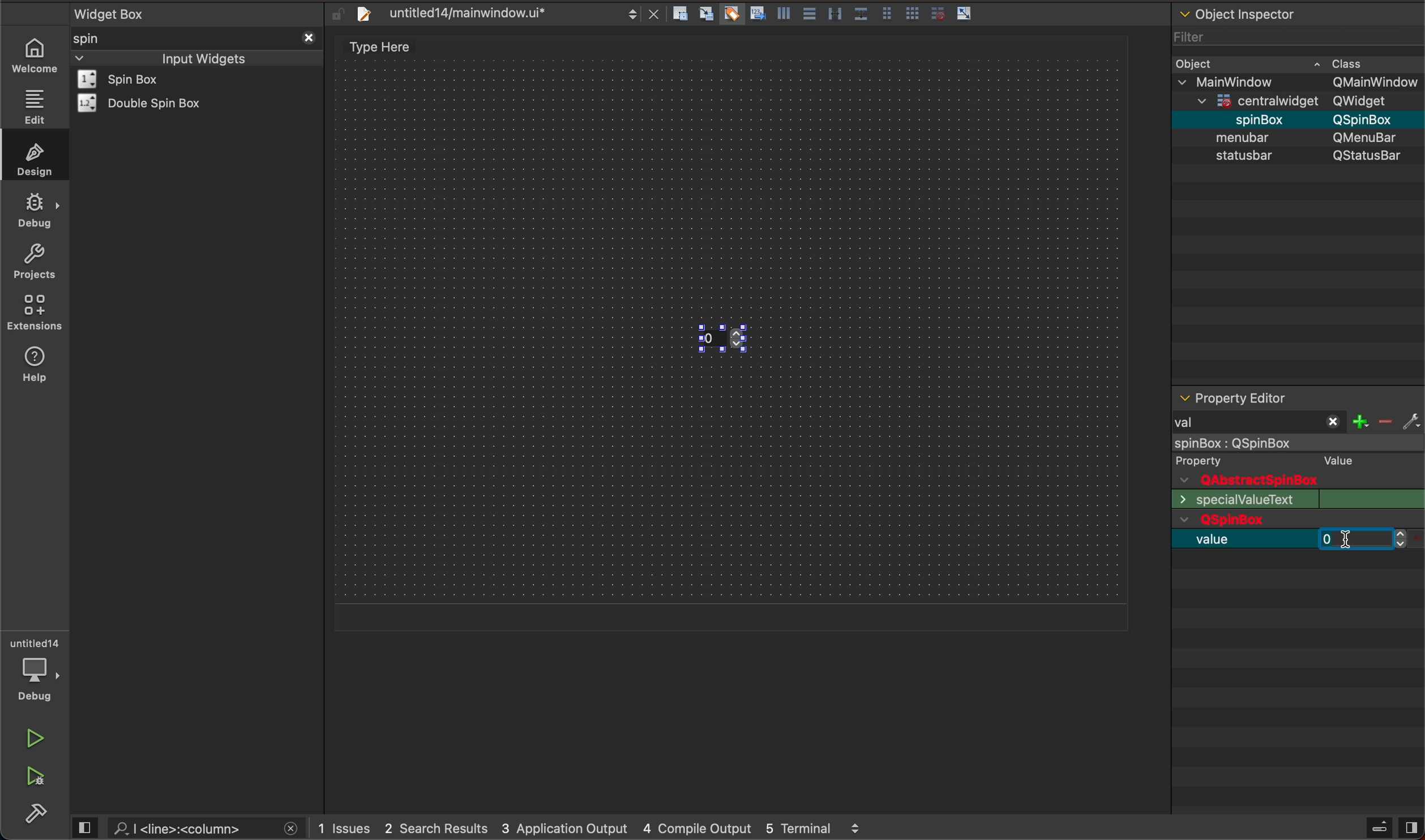  What do you see at coordinates (37, 670) in the screenshot?
I see `debugger` at bounding box center [37, 670].